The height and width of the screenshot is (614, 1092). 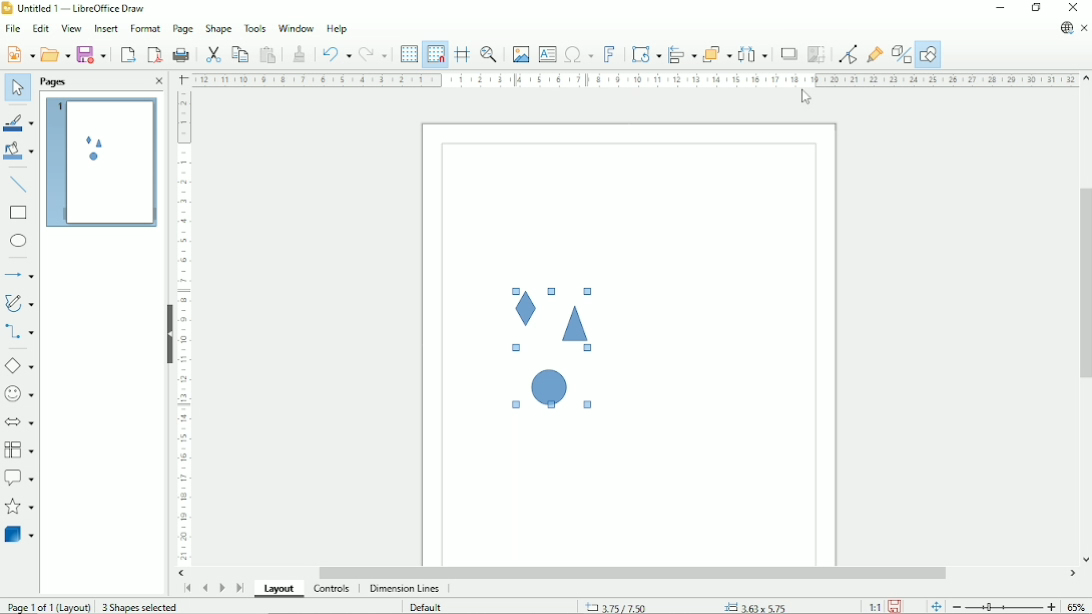 What do you see at coordinates (19, 365) in the screenshot?
I see `Basic shapes ` at bounding box center [19, 365].